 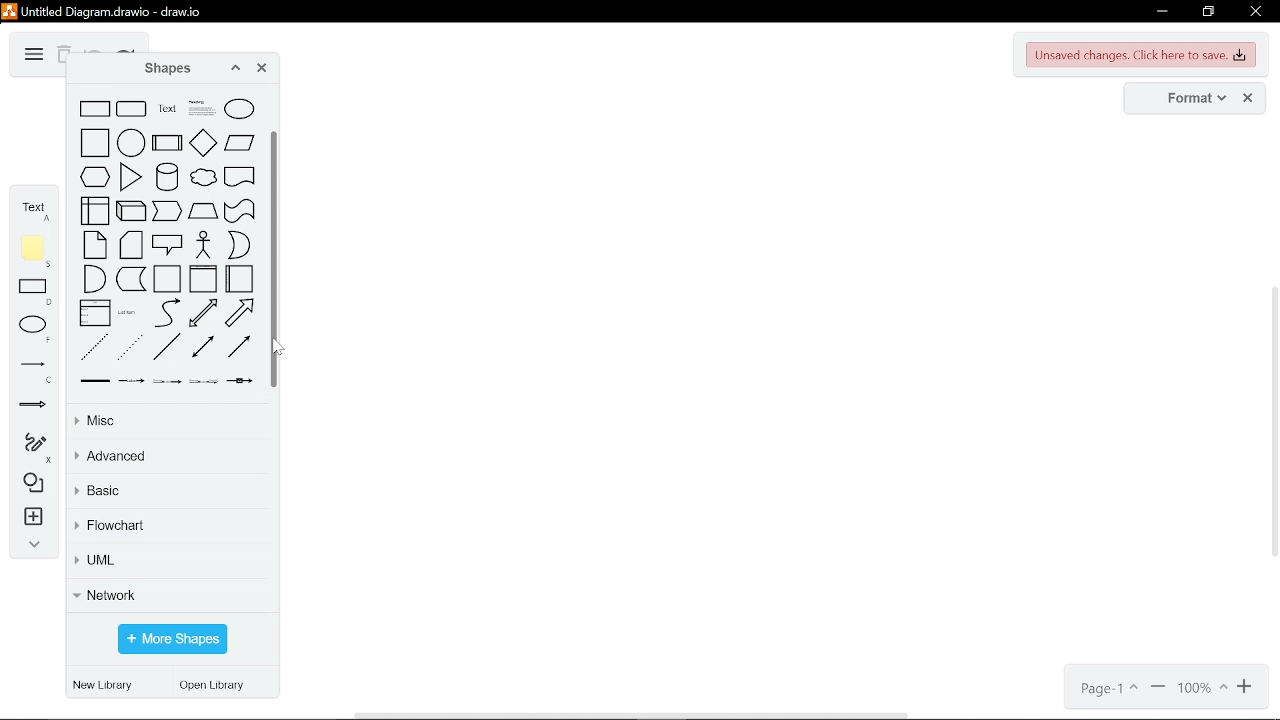 What do you see at coordinates (165, 422) in the screenshot?
I see `Misc` at bounding box center [165, 422].